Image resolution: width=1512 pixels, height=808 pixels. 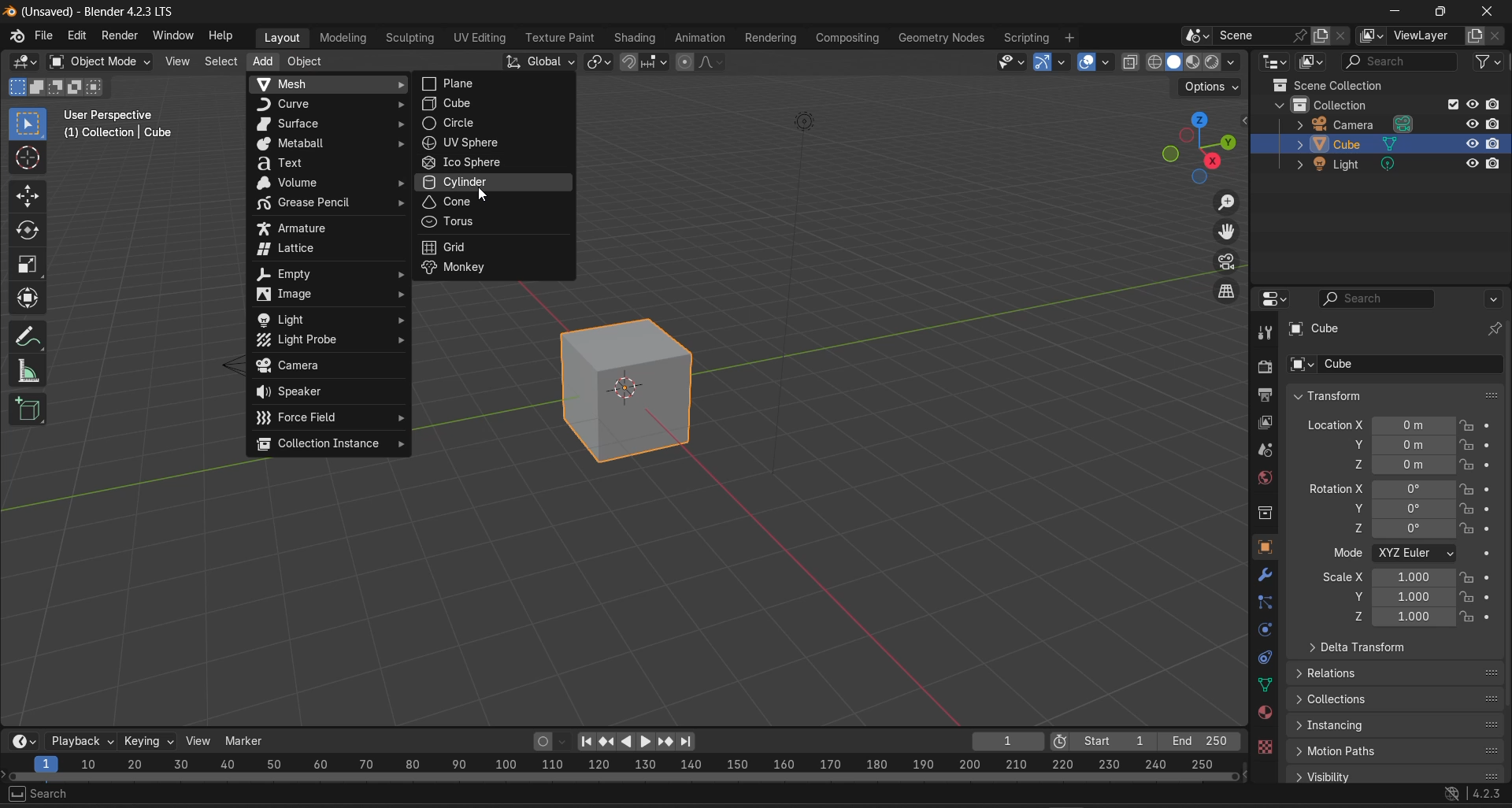 What do you see at coordinates (28, 122) in the screenshot?
I see `select box` at bounding box center [28, 122].